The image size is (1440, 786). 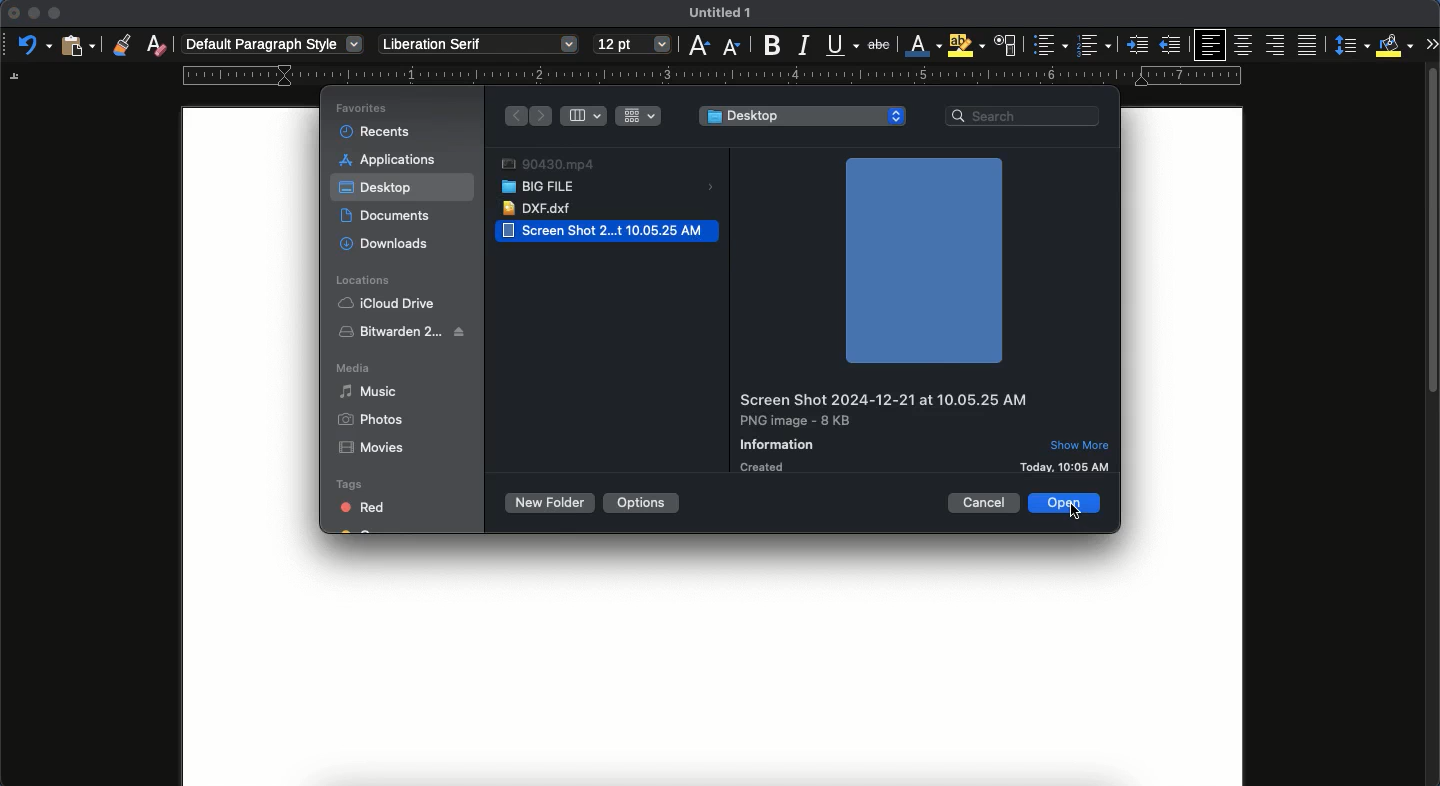 I want to click on dxf.dxf, so click(x=536, y=209).